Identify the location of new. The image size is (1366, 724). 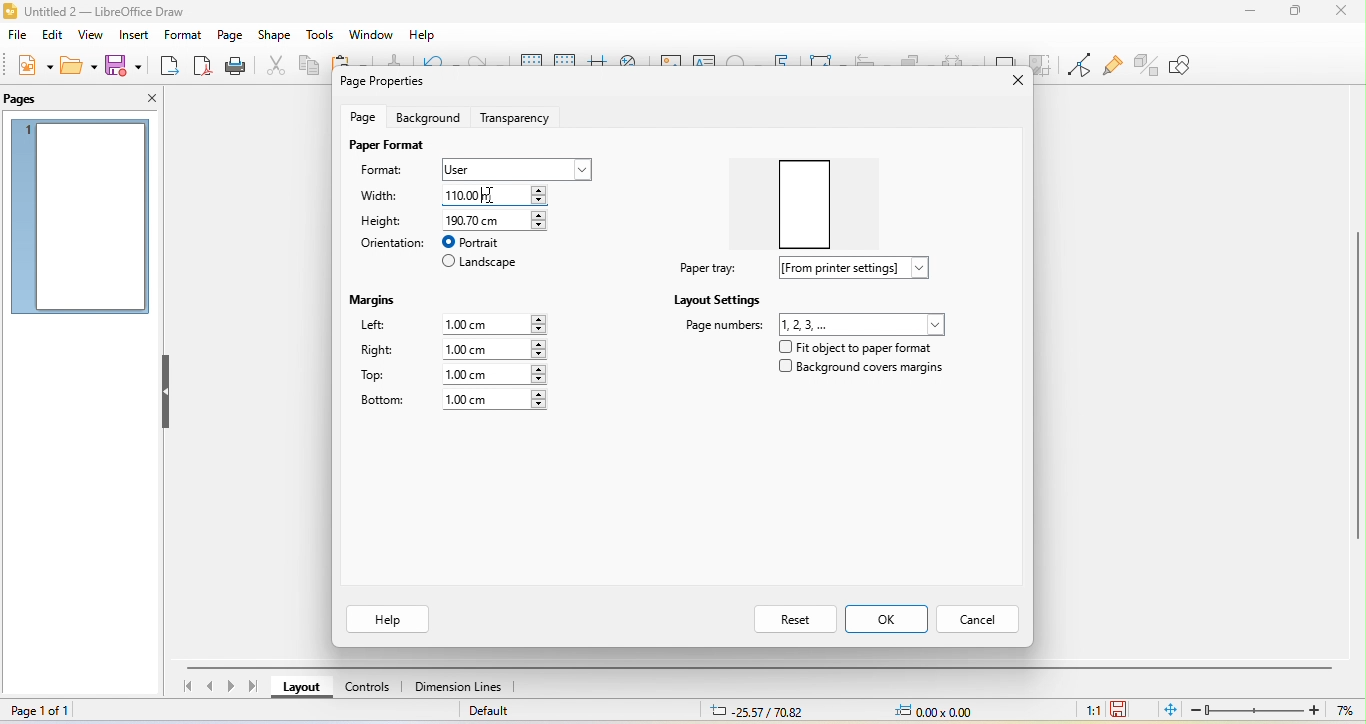
(32, 66).